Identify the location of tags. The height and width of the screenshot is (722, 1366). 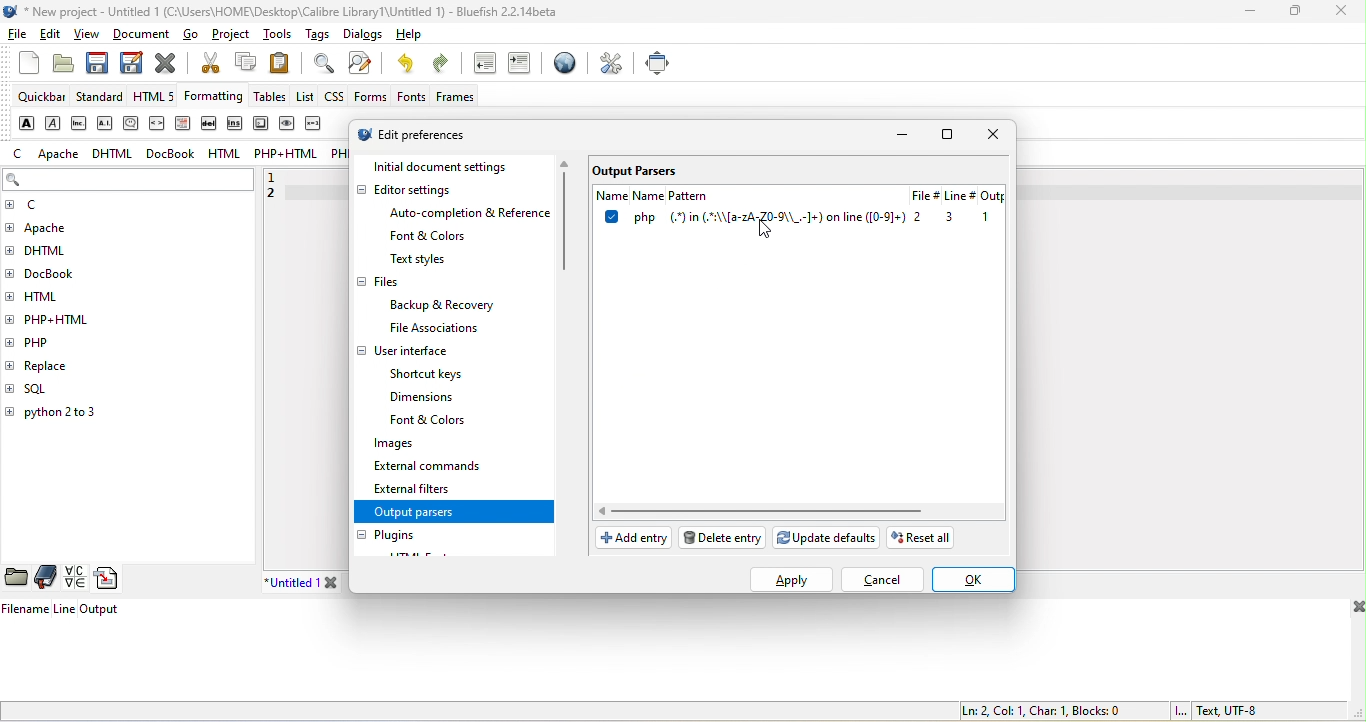
(317, 34).